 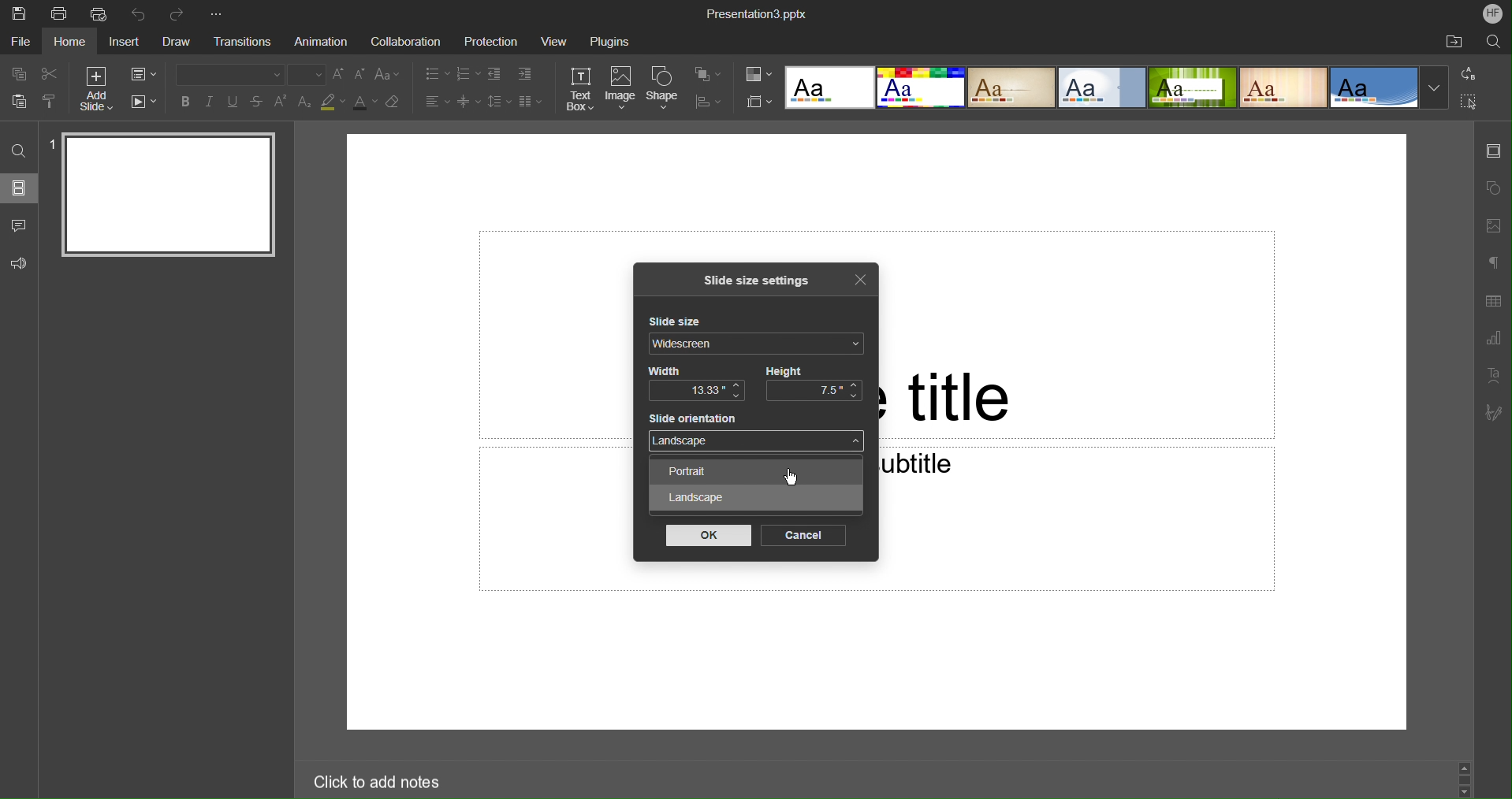 I want to click on Cut, so click(x=50, y=74).